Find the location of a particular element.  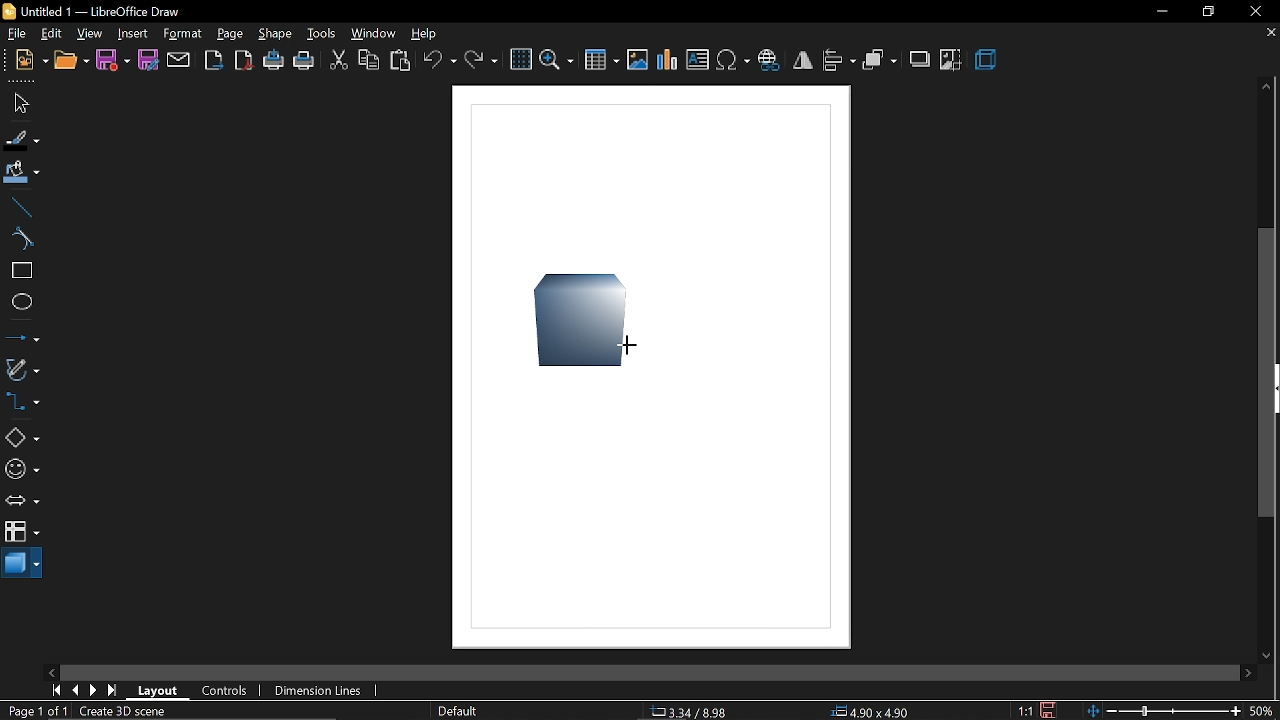

ellipse is located at coordinates (23, 304).